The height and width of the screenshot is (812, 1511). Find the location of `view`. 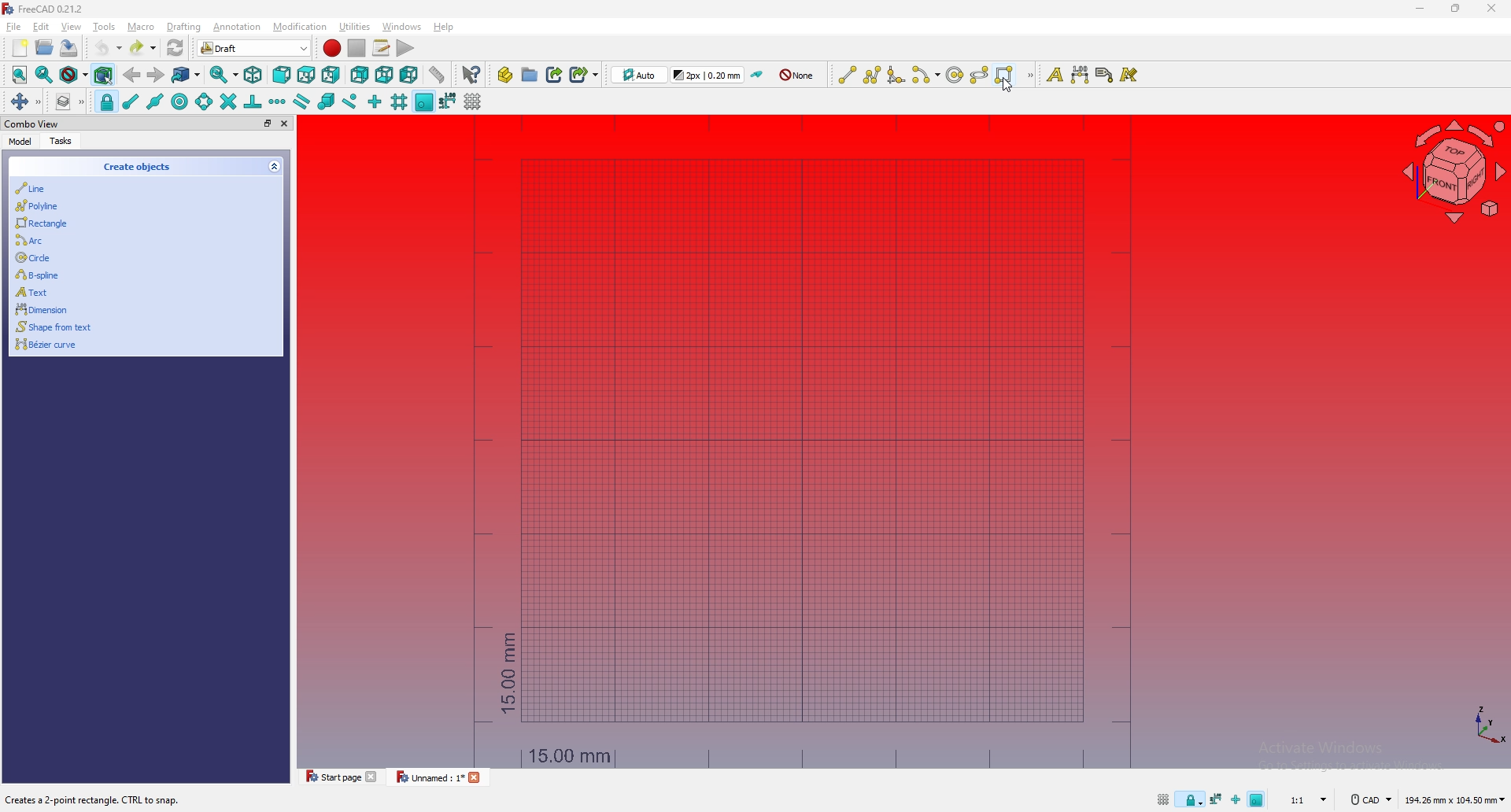

view is located at coordinates (71, 27).